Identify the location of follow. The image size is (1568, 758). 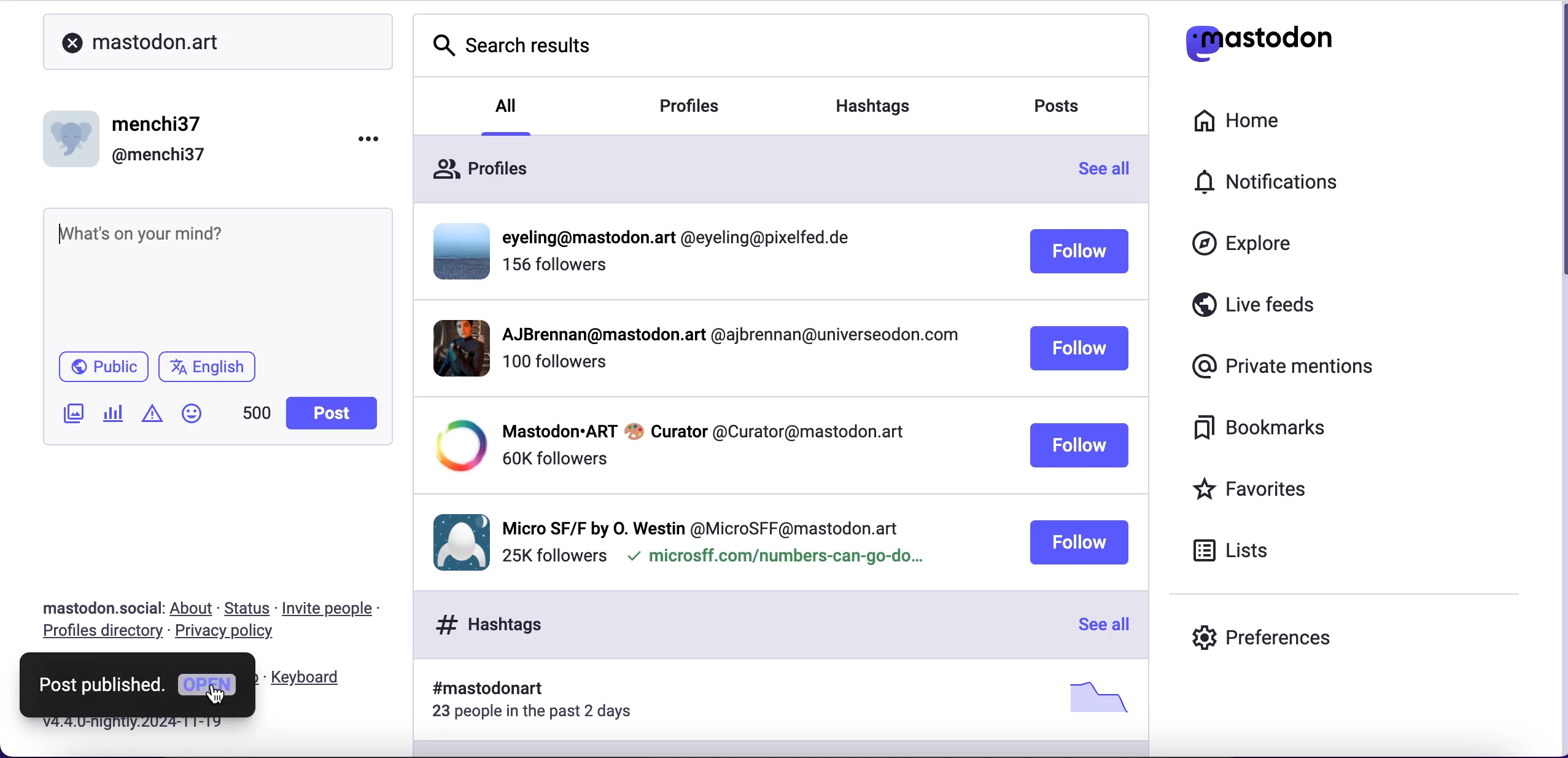
(1077, 348).